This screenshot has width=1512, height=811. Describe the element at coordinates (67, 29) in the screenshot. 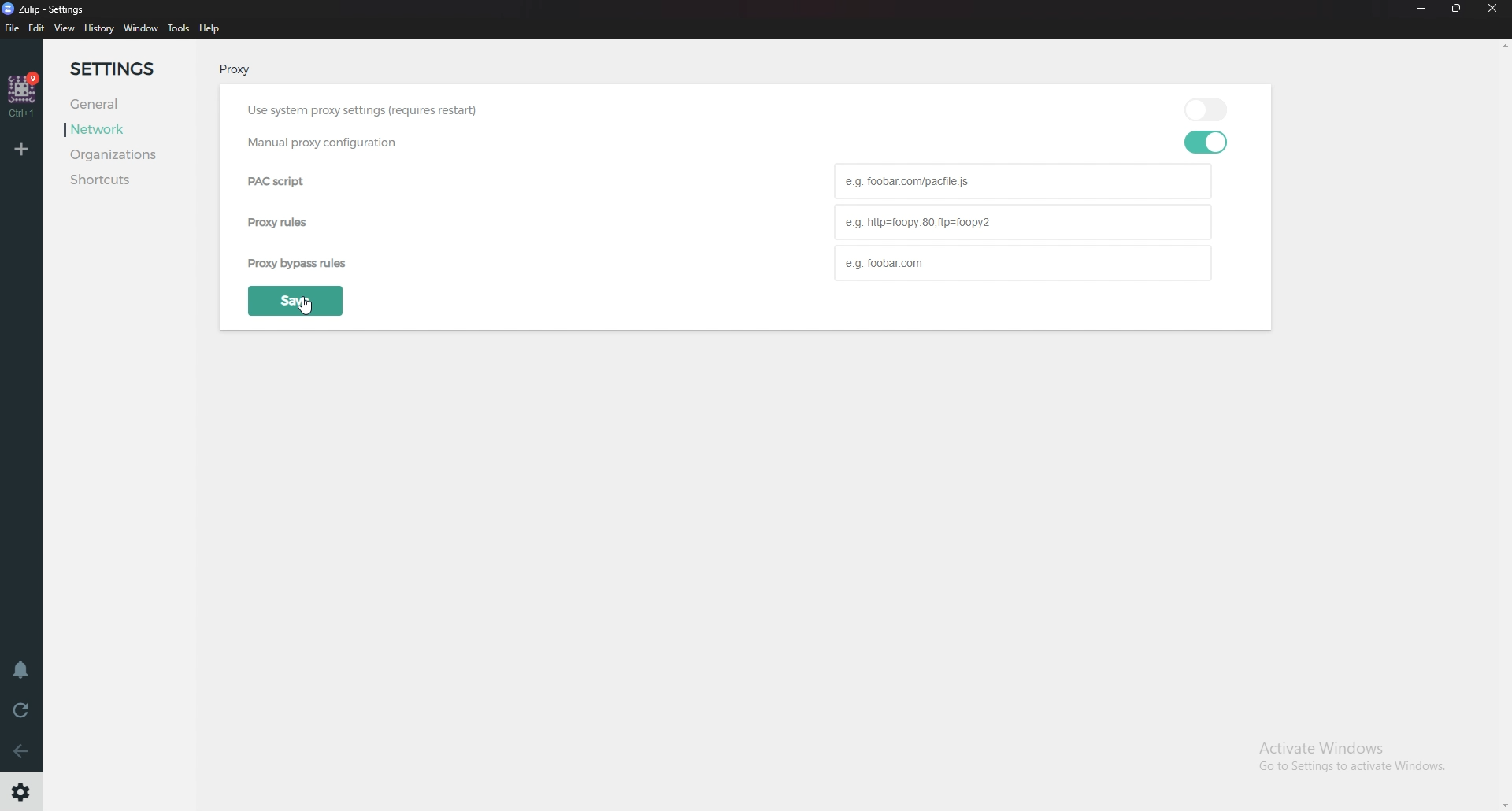

I see `view` at that location.